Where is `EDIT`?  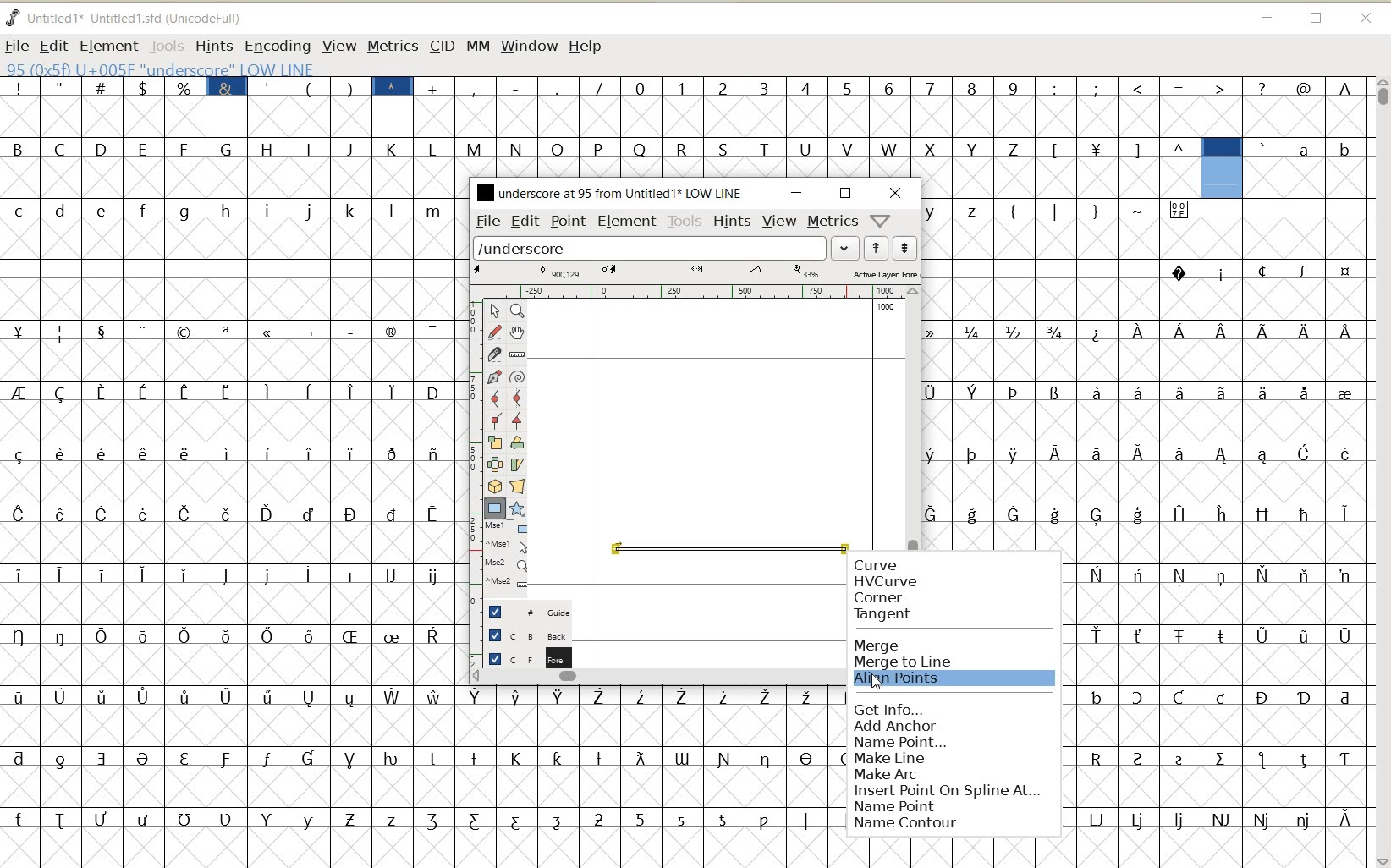 EDIT is located at coordinates (525, 221).